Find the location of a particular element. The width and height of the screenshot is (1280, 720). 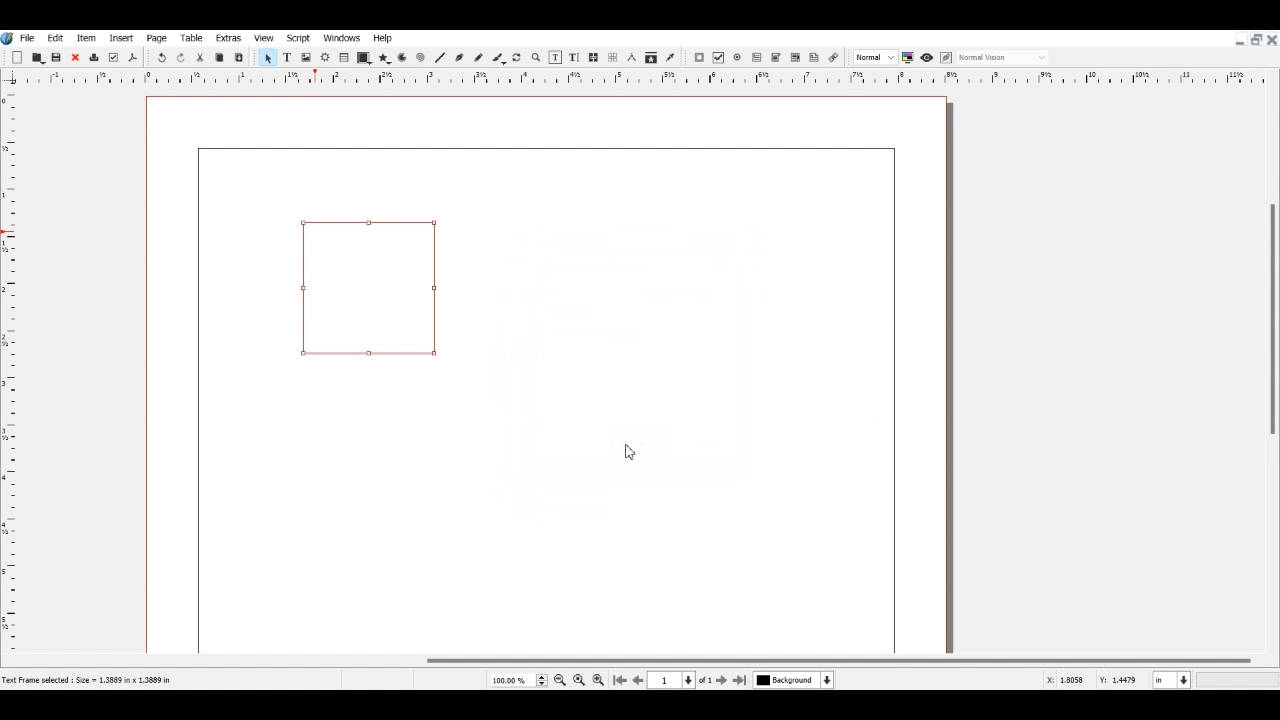

Zoom to 100% is located at coordinates (579, 679).